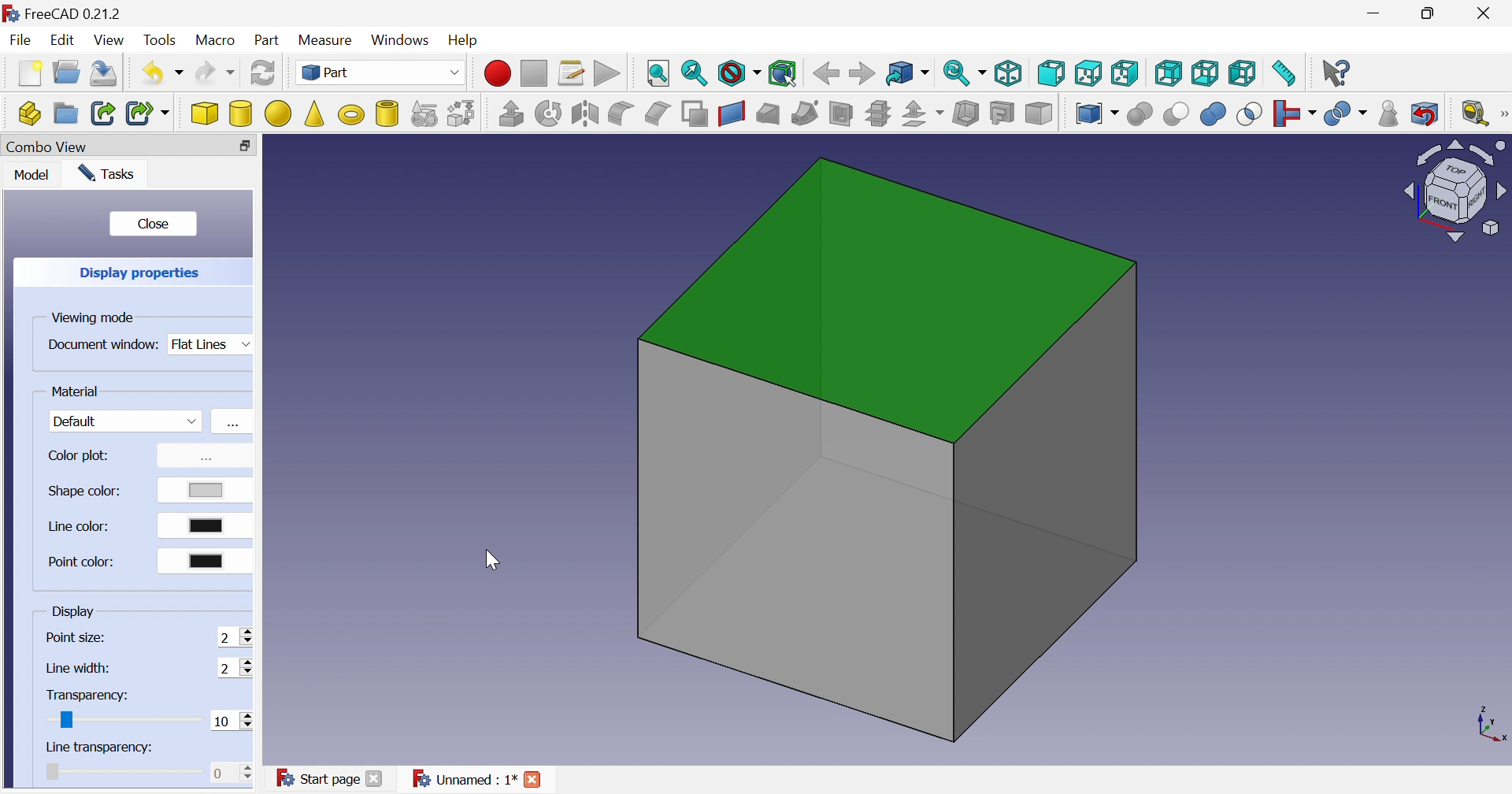  Describe the element at coordinates (607, 72) in the screenshot. I see `Execute macros` at that location.